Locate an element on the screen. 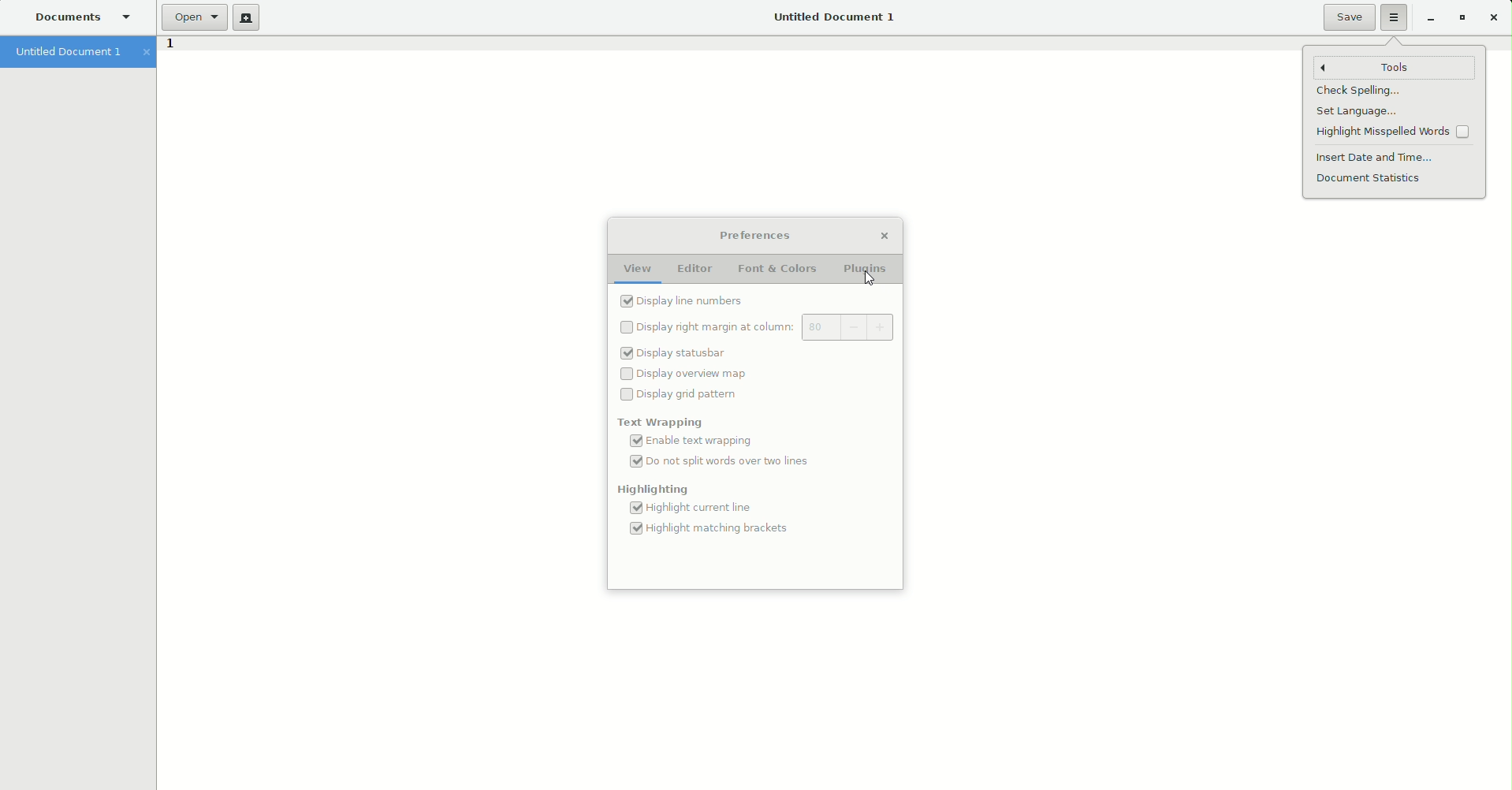  Tools is located at coordinates (1396, 67).